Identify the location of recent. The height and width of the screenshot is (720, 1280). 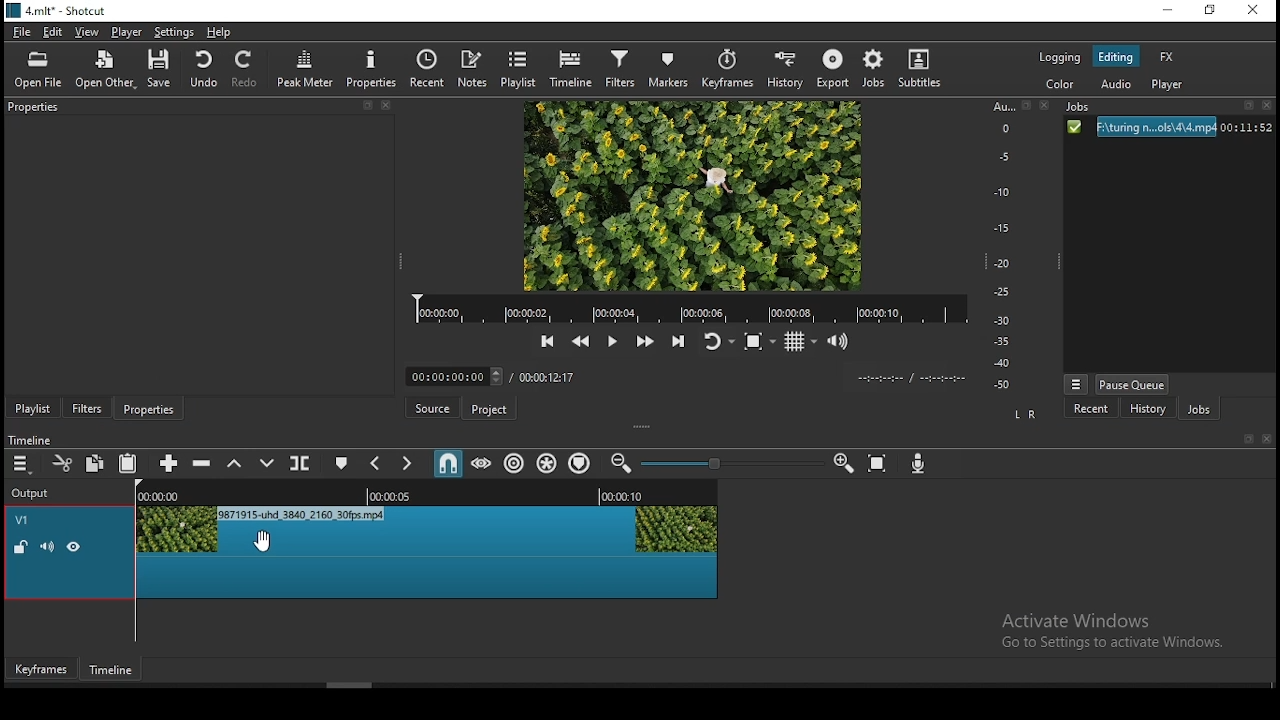
(1092, 409).